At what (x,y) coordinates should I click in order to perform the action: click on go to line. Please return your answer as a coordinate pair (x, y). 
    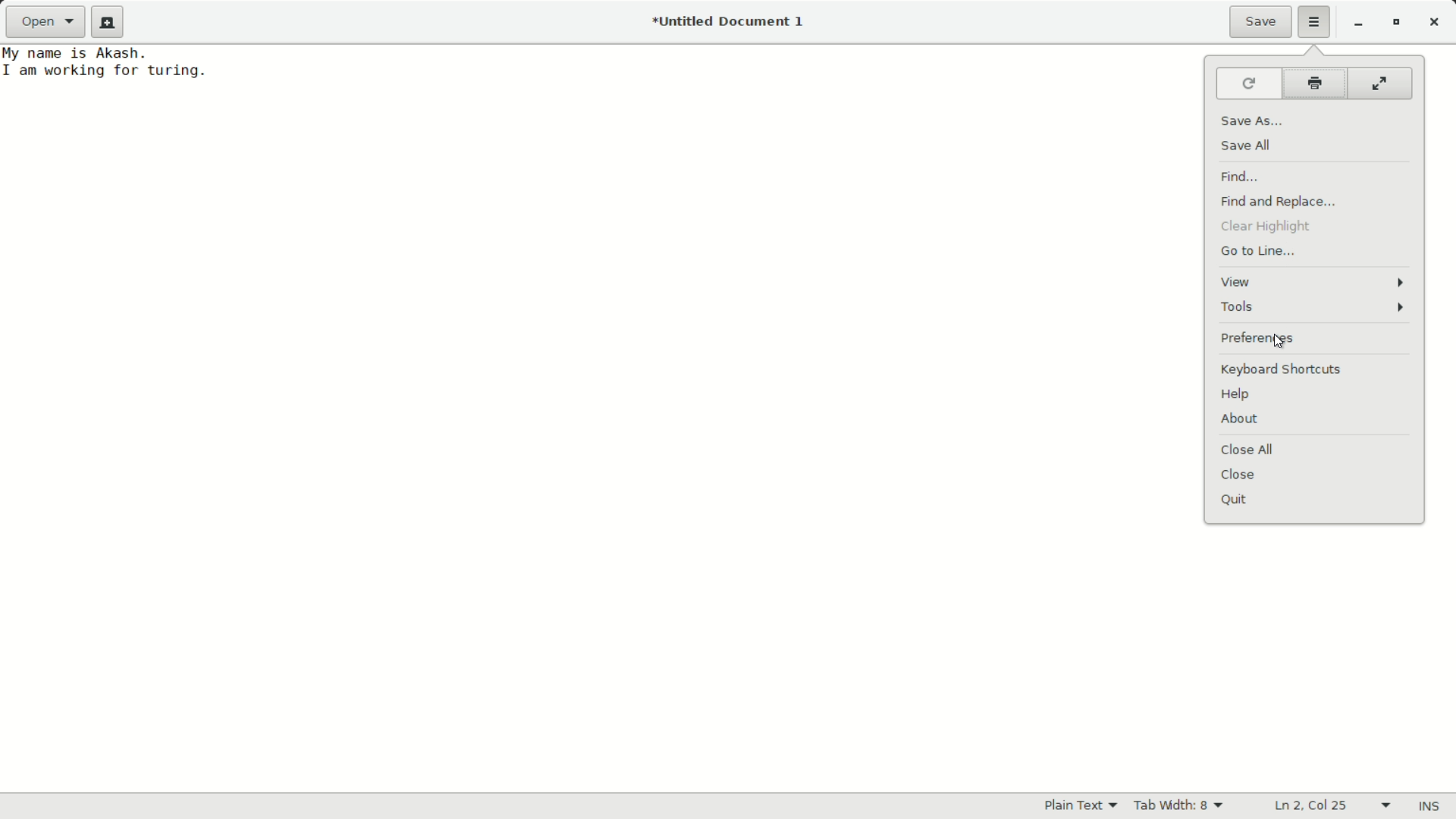
    Looking at the image, I should click on (1257, 253).